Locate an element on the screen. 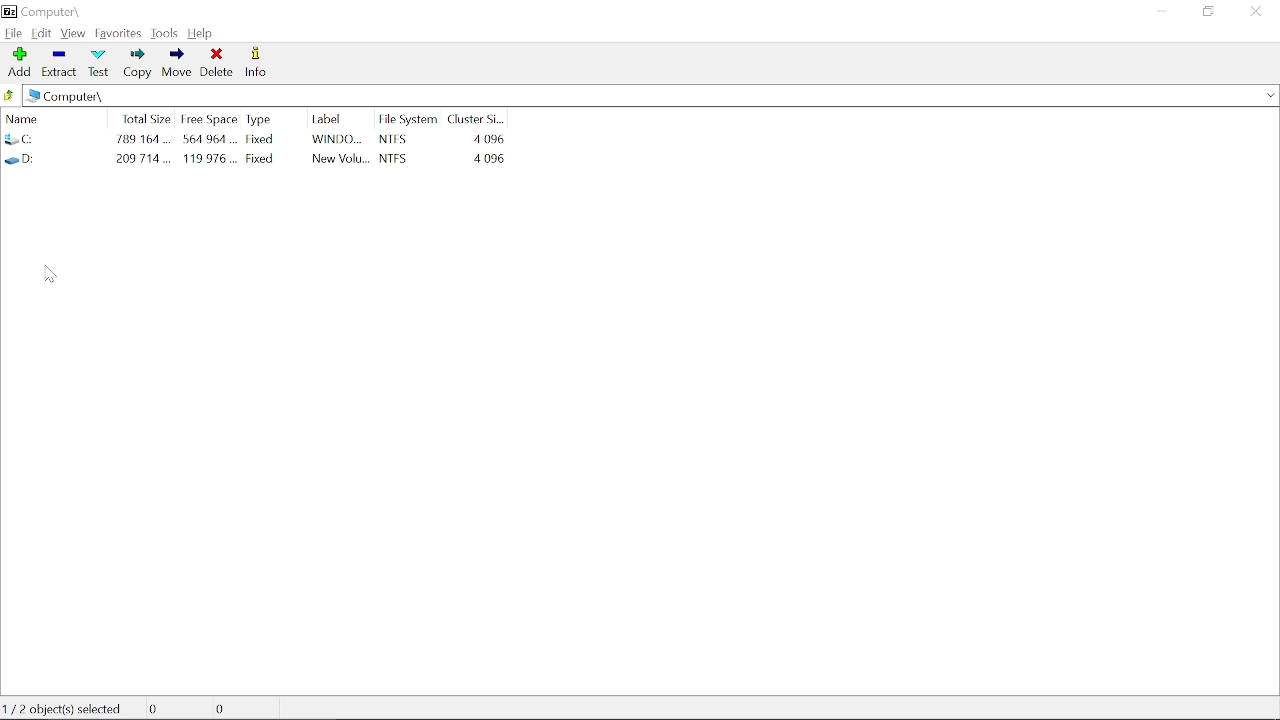  recent locations is located at coordinates (1271, 96).